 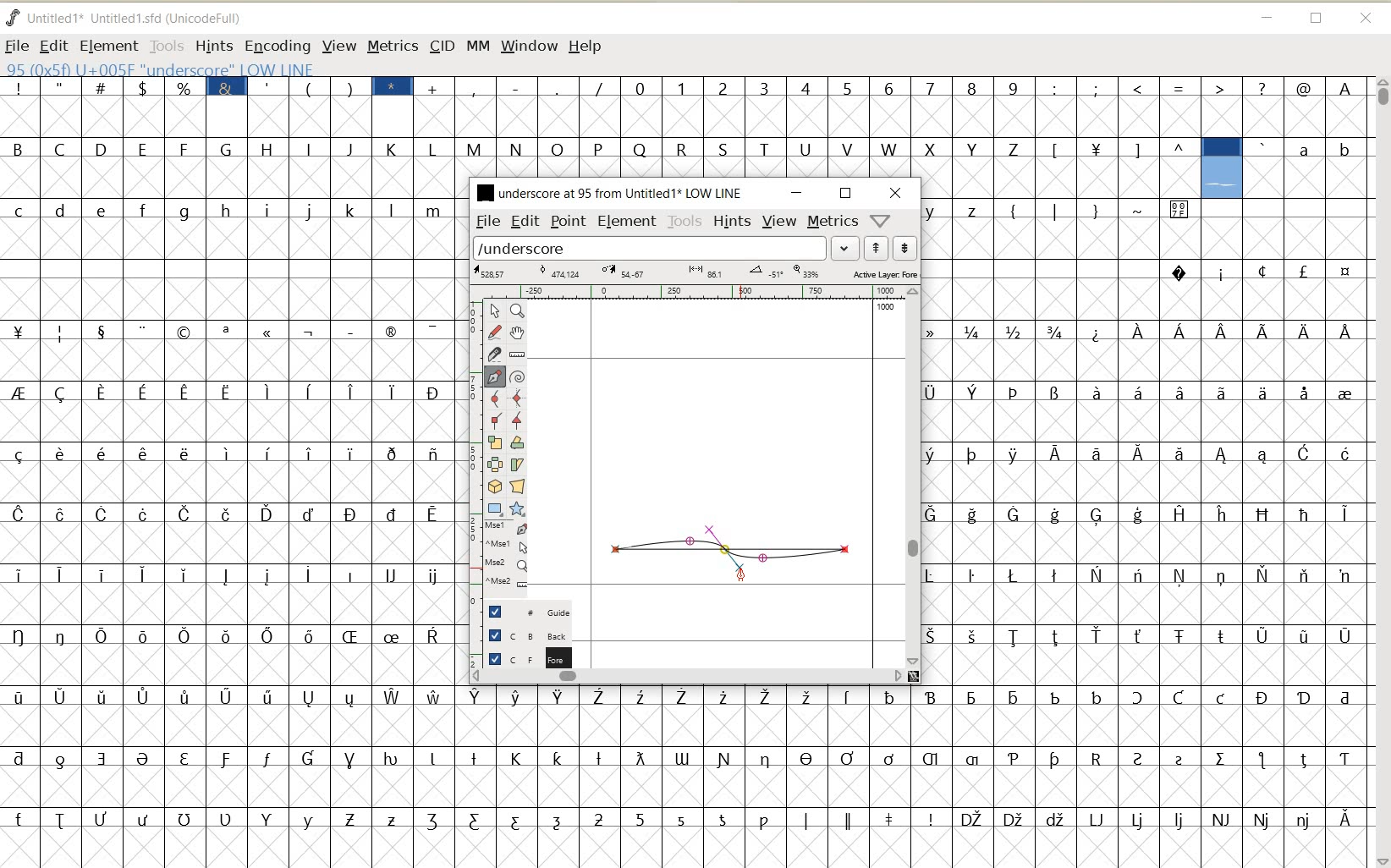 What do you see at coordinates (494, 464) in the screenshot?
I see `flip the selection` at bounding box center [494, 464].